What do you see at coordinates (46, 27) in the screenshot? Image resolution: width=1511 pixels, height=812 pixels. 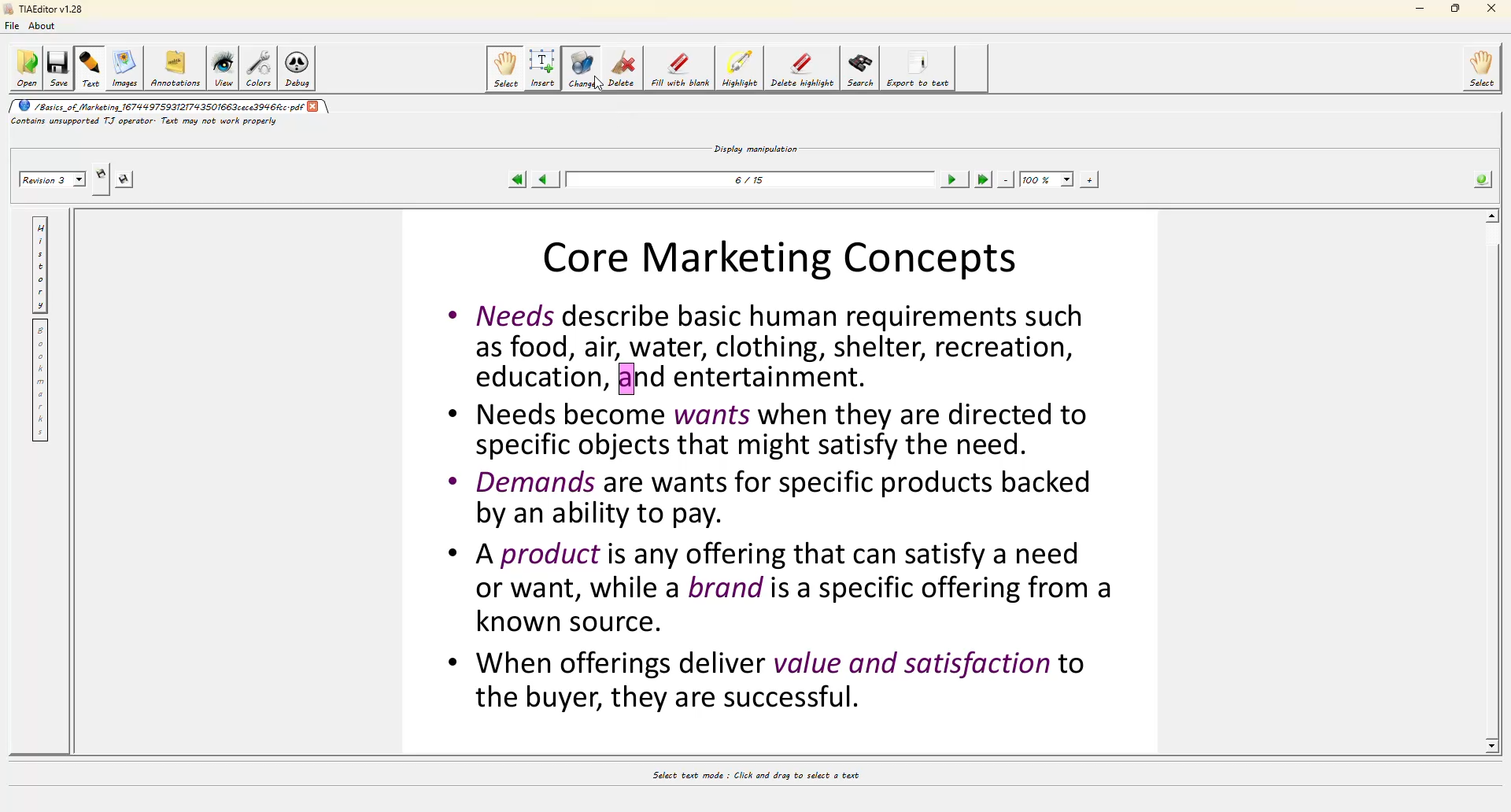 I see `about` at bounding box center [46, 27].